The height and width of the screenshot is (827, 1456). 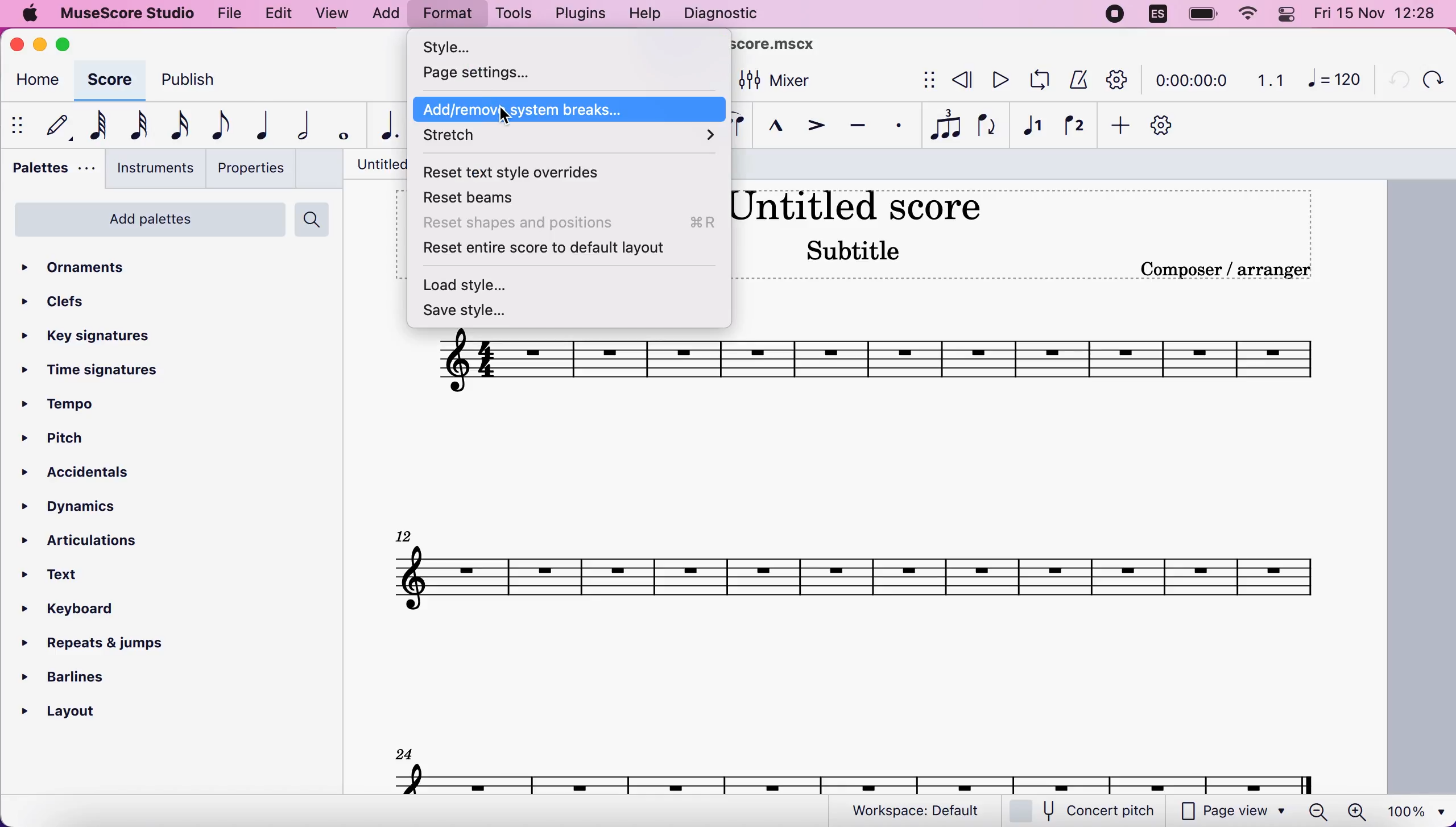 What do you see at coordinates (1356, 812) in the screenshot?
I see `zoom in` at bounding box center [1356, 812].